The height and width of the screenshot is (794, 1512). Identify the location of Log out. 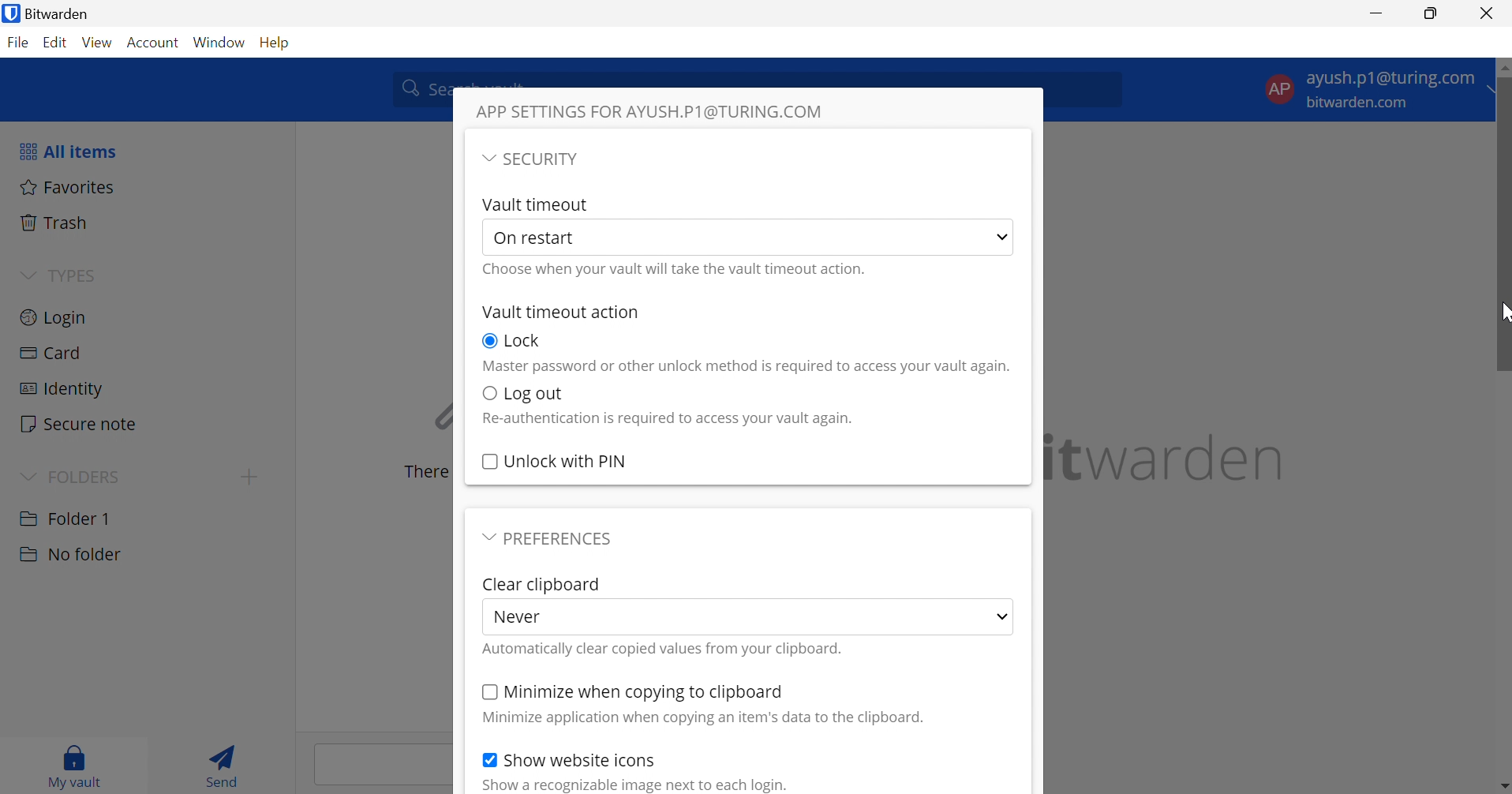
(533, 394).